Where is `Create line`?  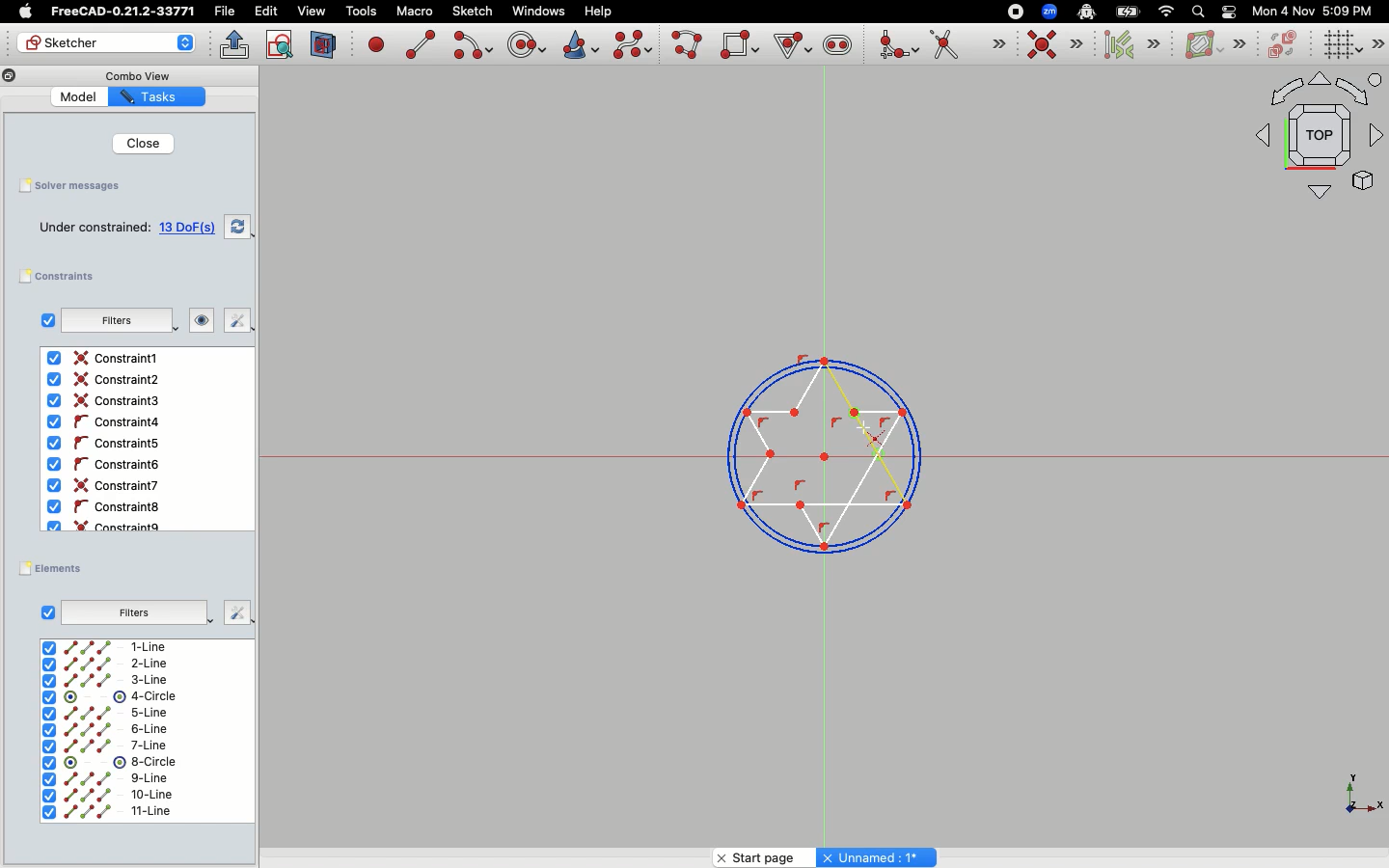 Create line is located at coordinates (421, 44).